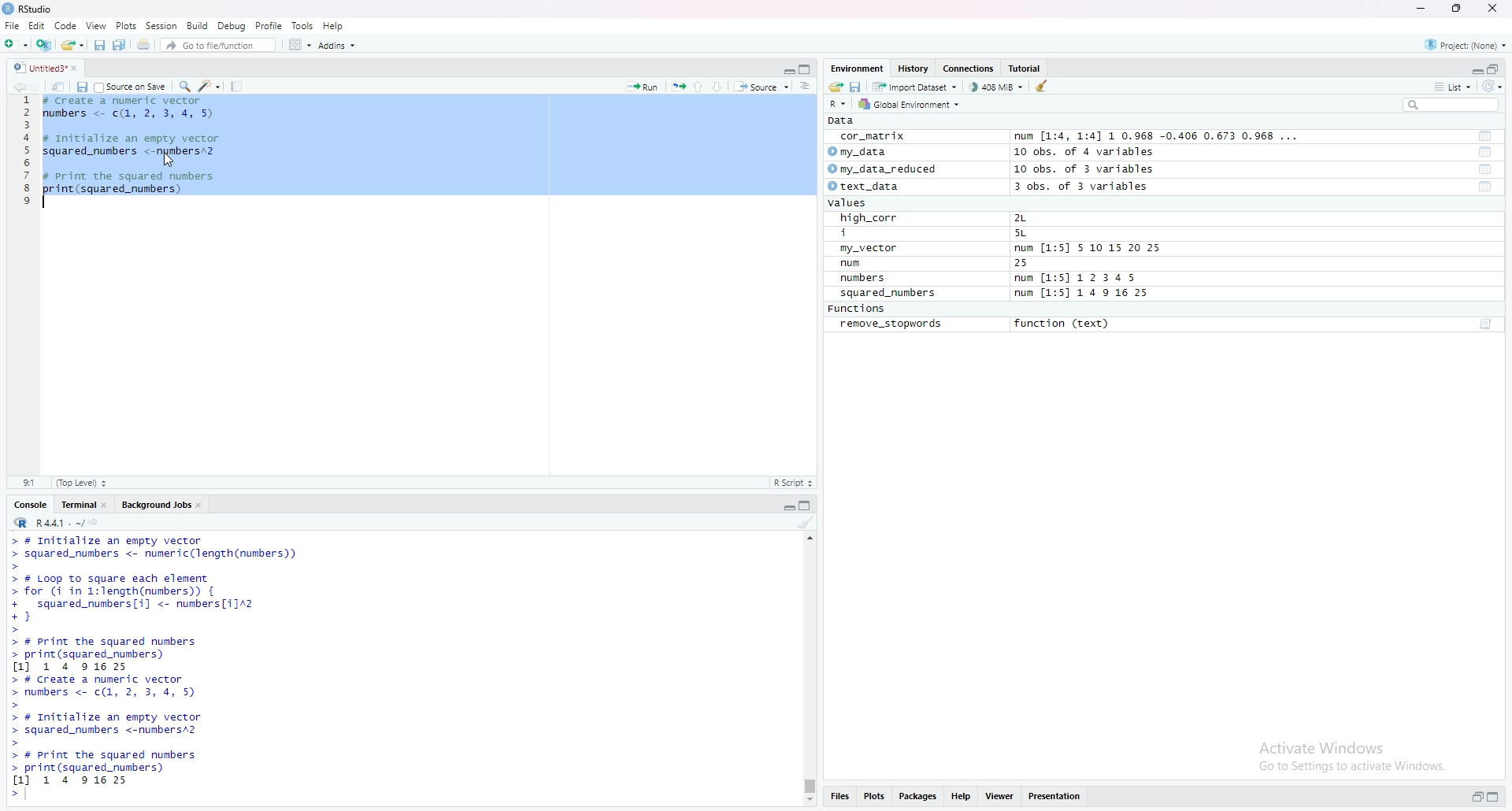 The image size is (1512, 811). What do you see at coordinates (762, 86) in the screenshot?
I see `Source` at bounding box center [762, 86].